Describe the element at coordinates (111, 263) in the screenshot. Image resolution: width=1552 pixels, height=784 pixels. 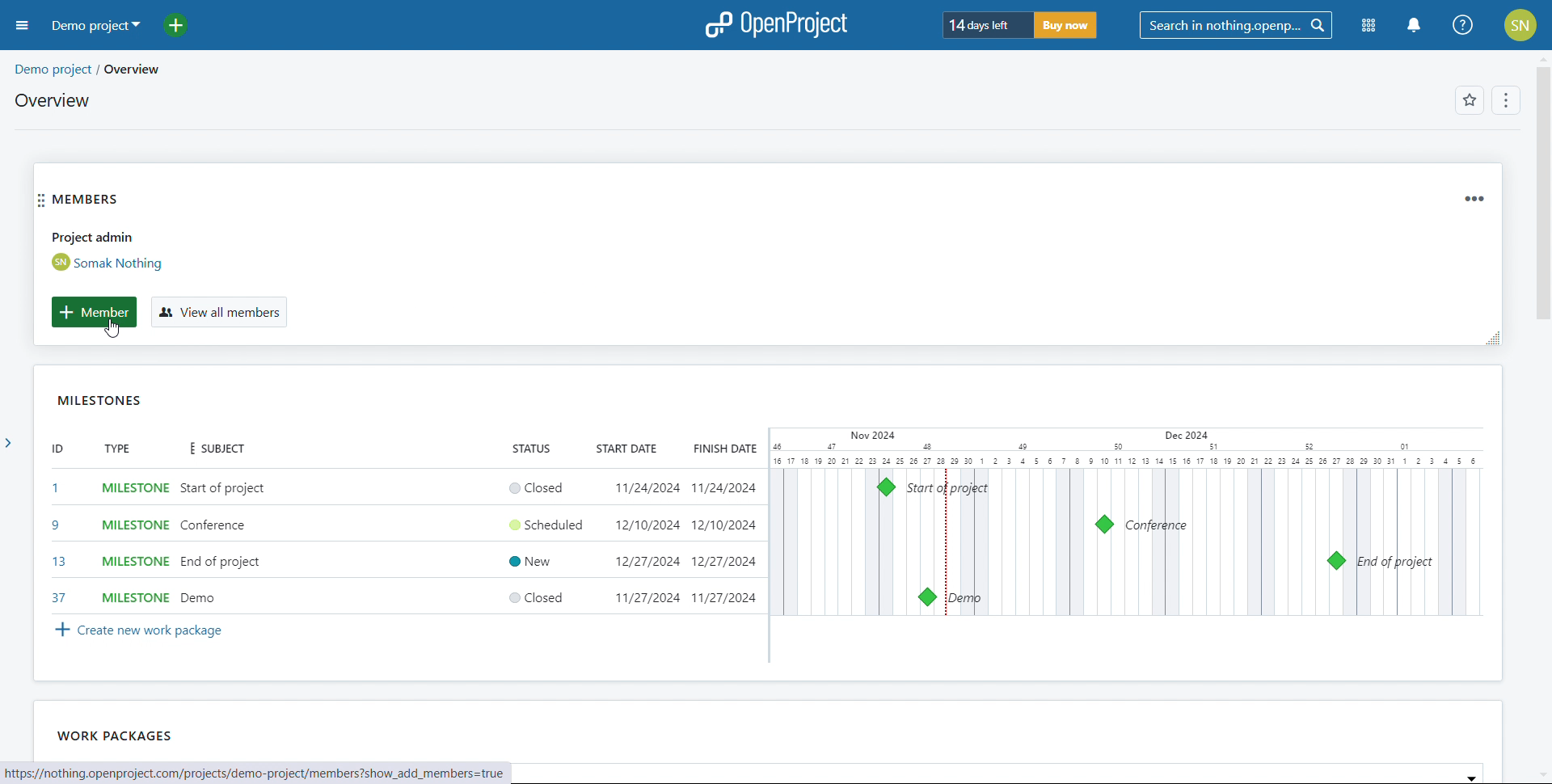
I see `admin account` at that location.